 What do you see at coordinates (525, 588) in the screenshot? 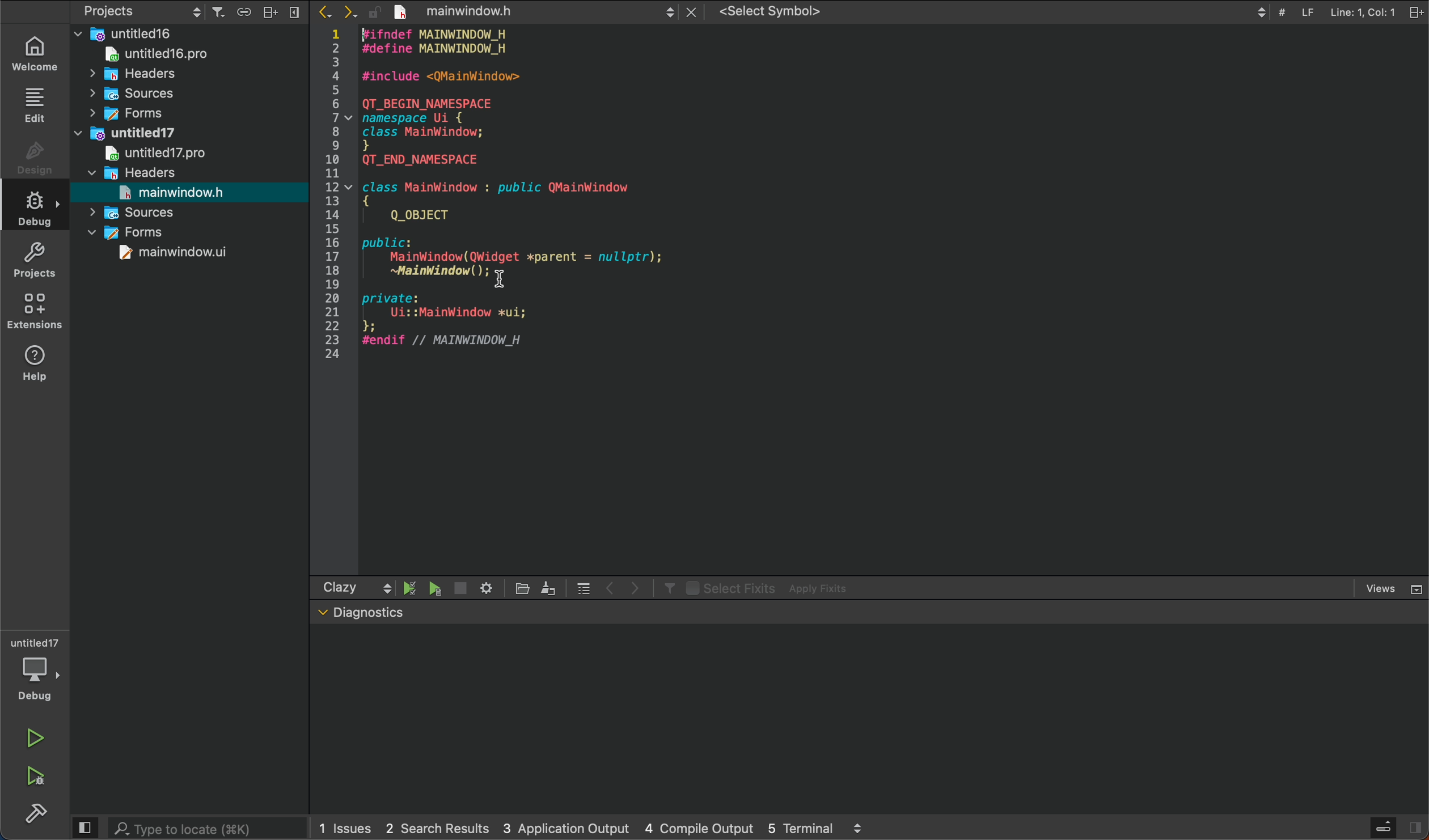
I see `file` at bounding box center [525, 588].